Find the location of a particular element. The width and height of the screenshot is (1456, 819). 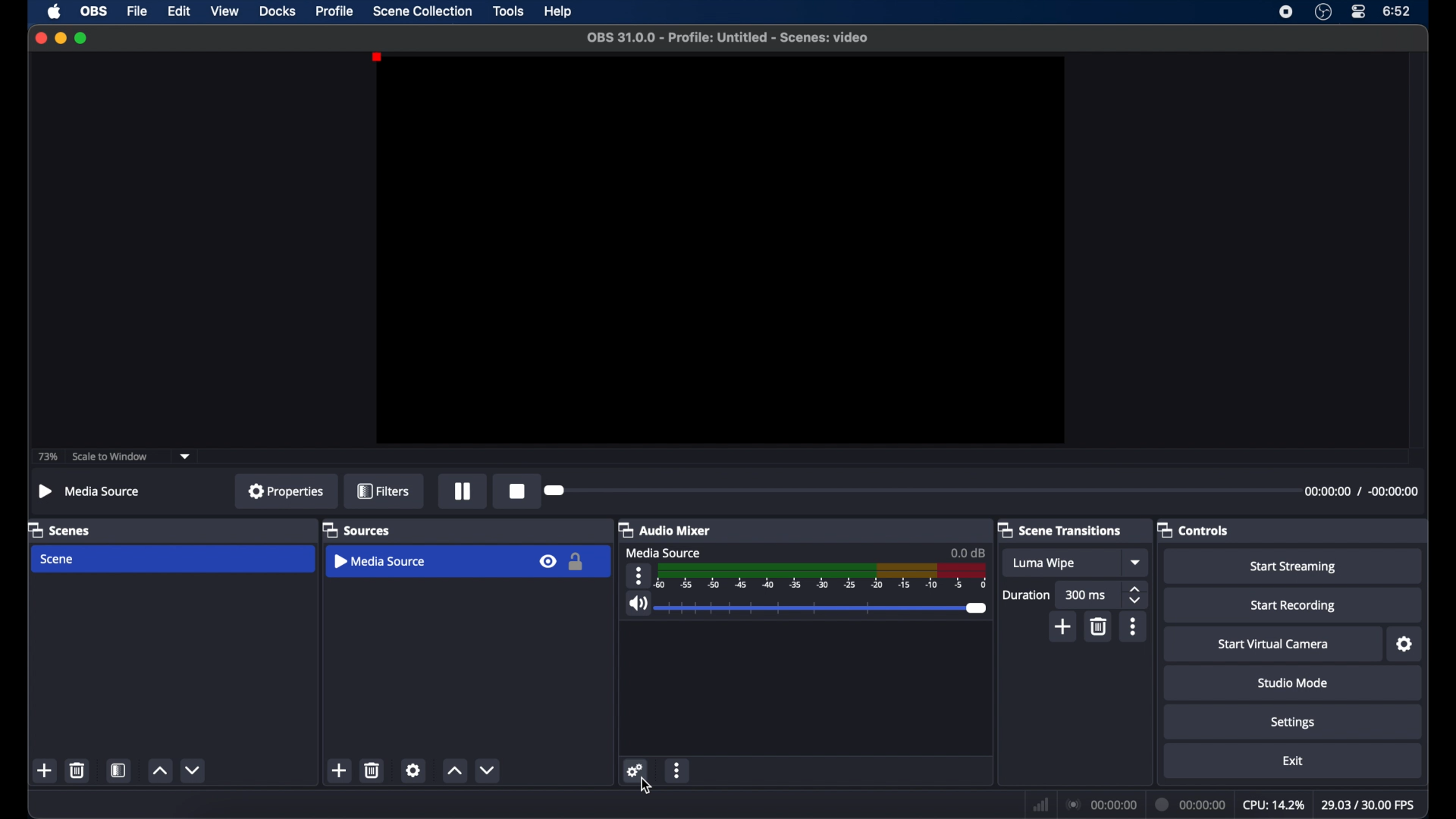

control center is located at coordinates (1359, 11).